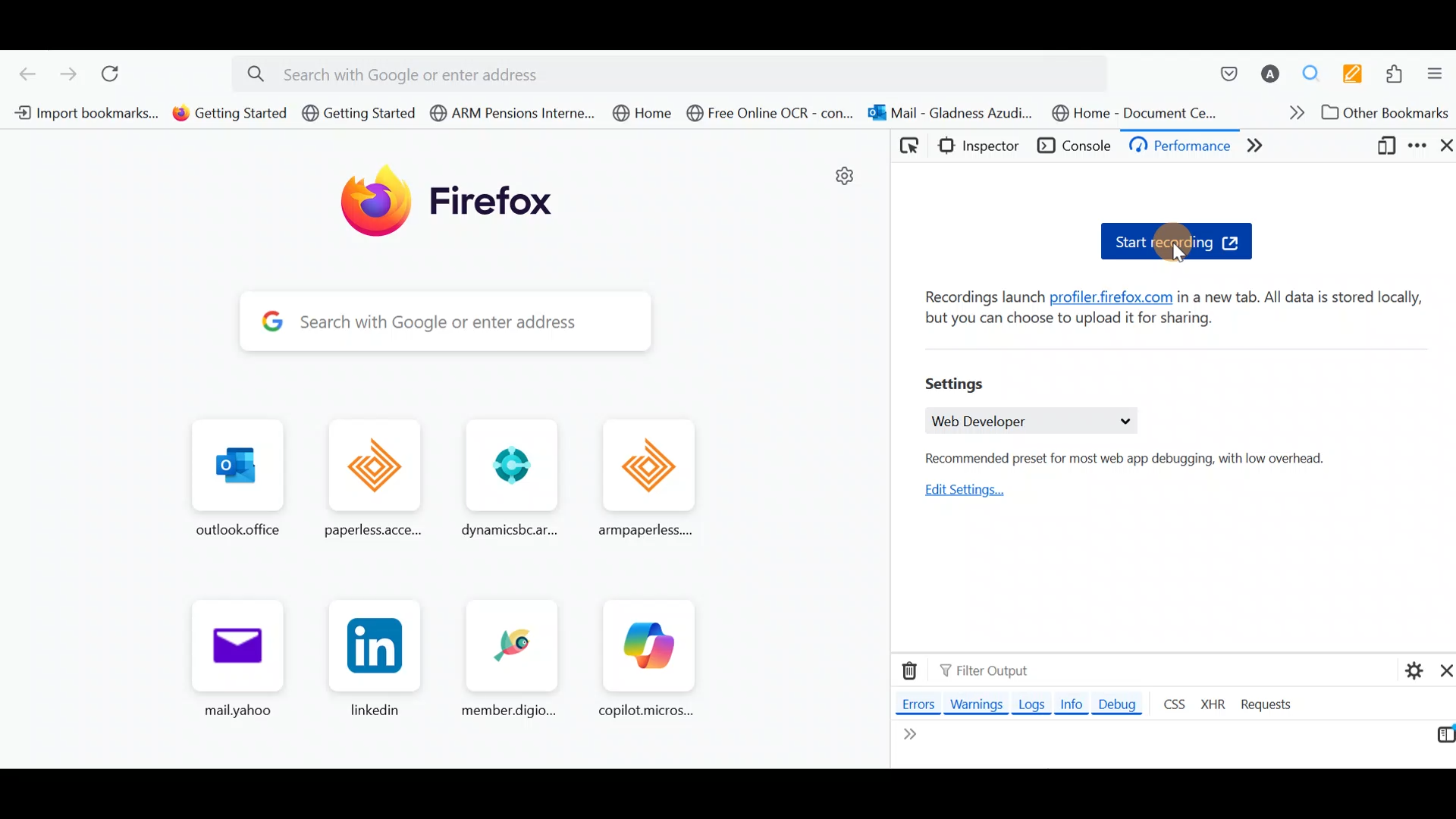 The height and width of the screenshot is (819, 1456). I want to click on Line editor, so click(995, 748).